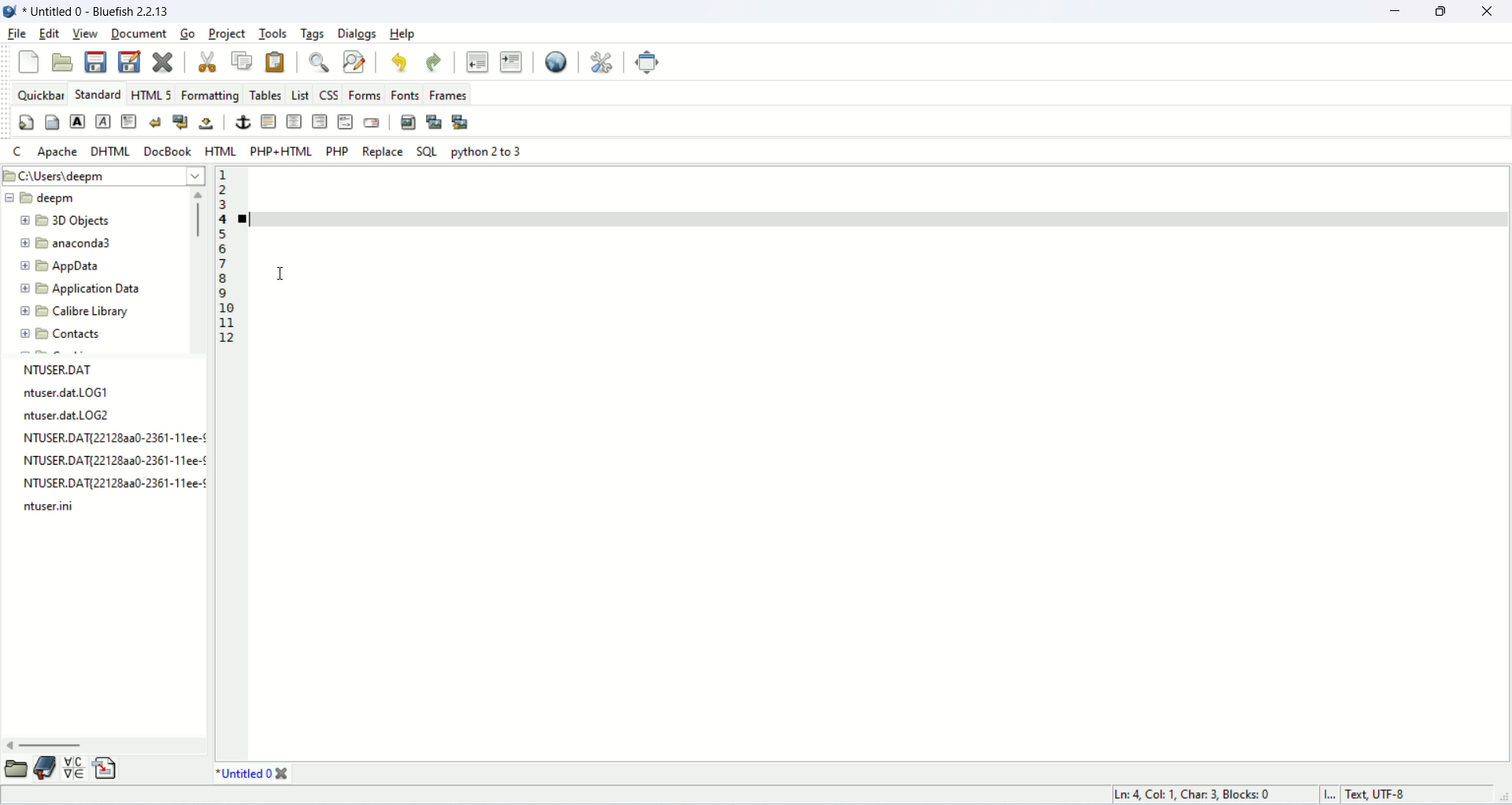  Describe the element at coordinates (95, 337) in the screenshot. I see `contacts` at that location.